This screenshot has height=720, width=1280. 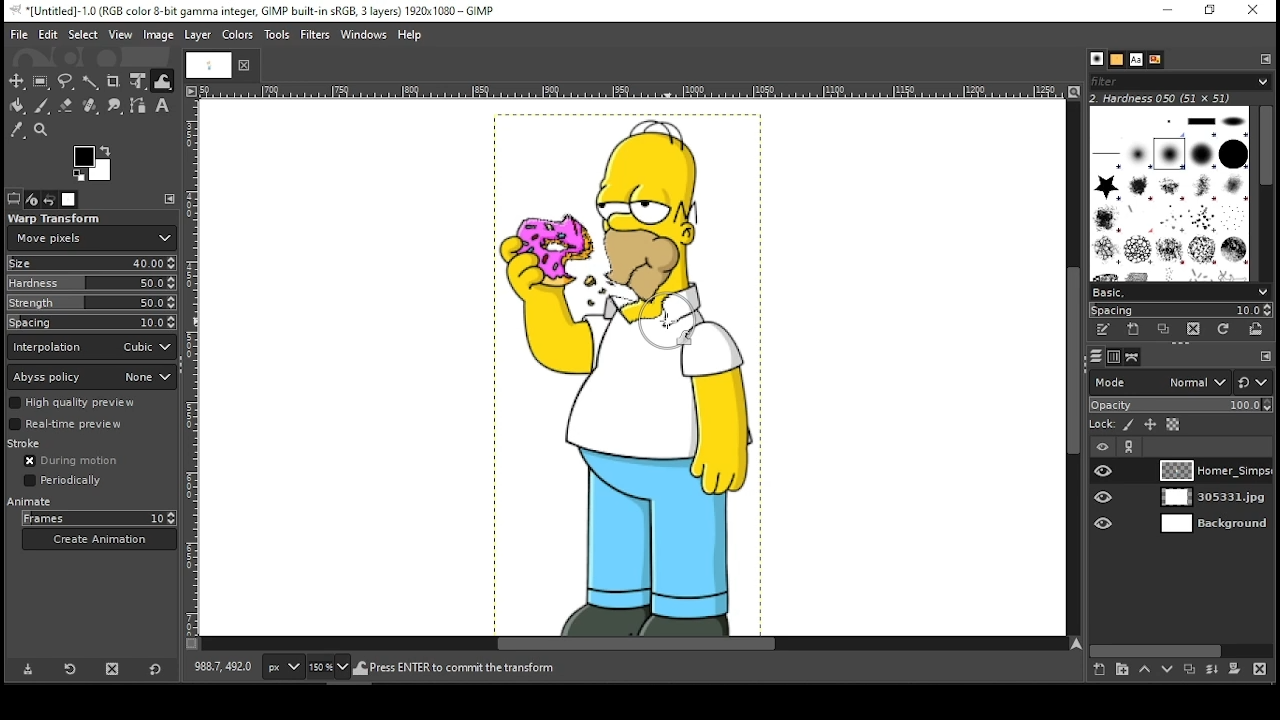 I want to click on link, so click(x=1129, y=447).